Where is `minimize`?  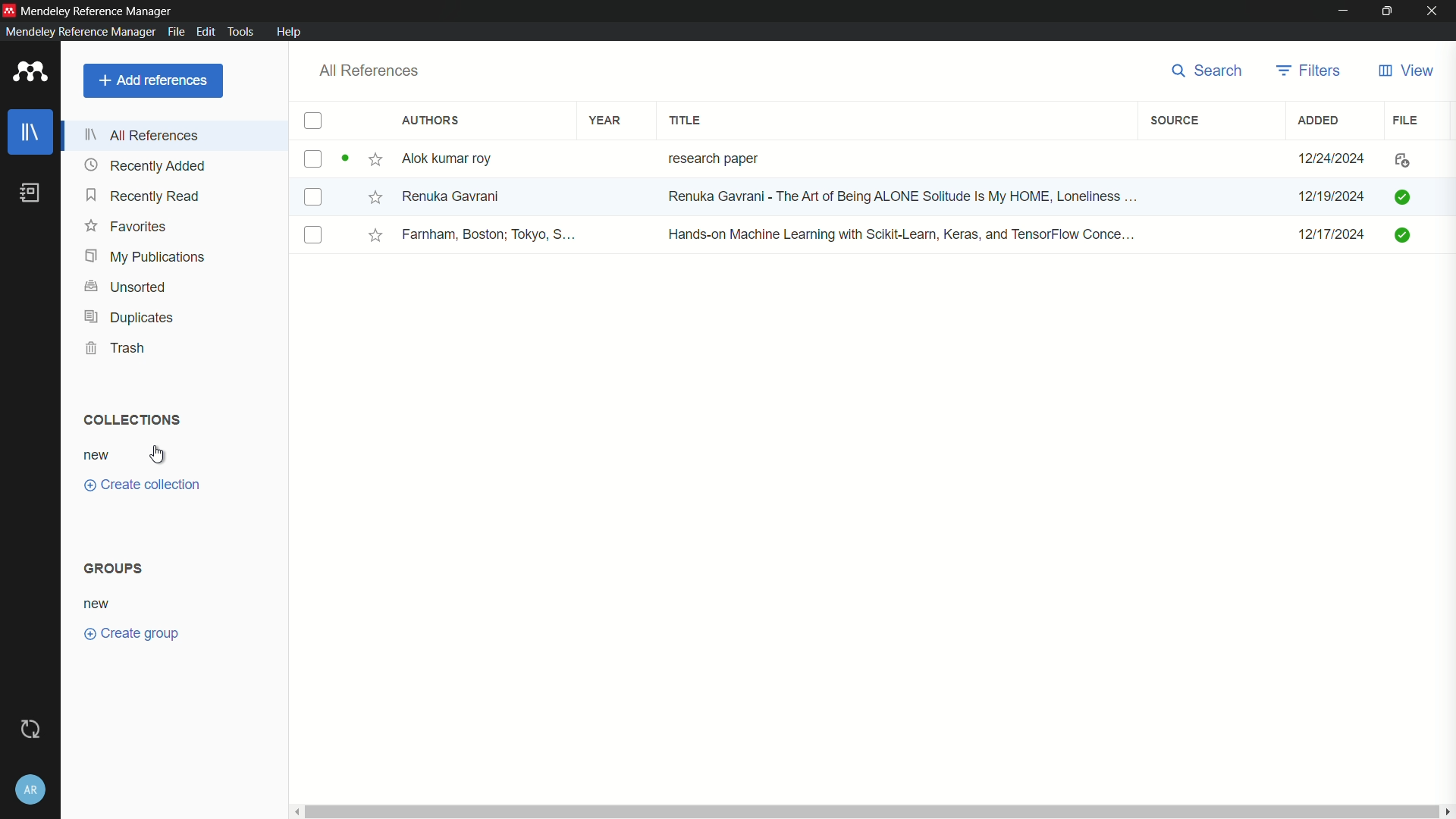 minimize is located at coordinates (1341, 11).